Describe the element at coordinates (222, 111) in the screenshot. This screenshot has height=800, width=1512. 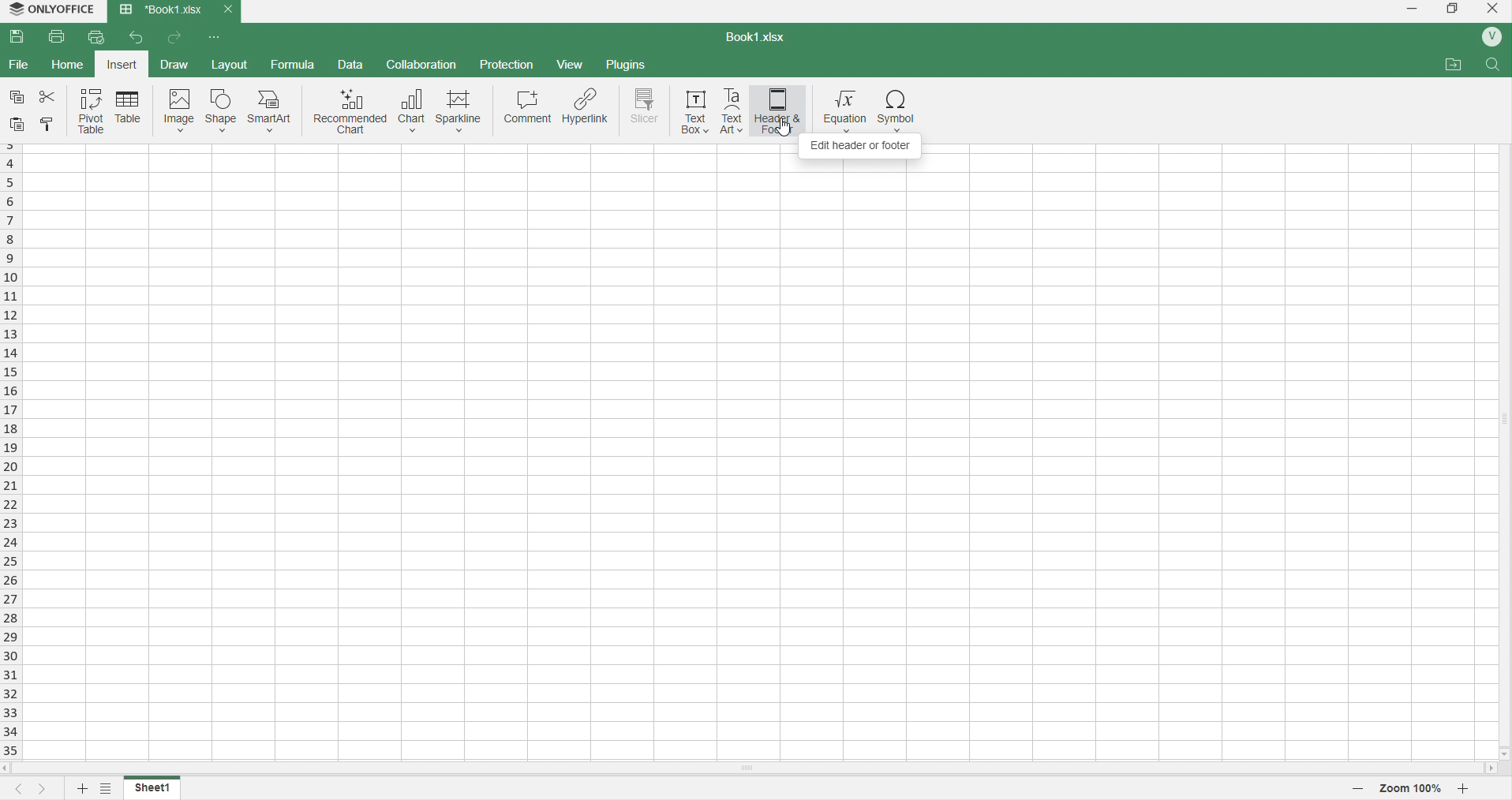
I see `shape` at that location.